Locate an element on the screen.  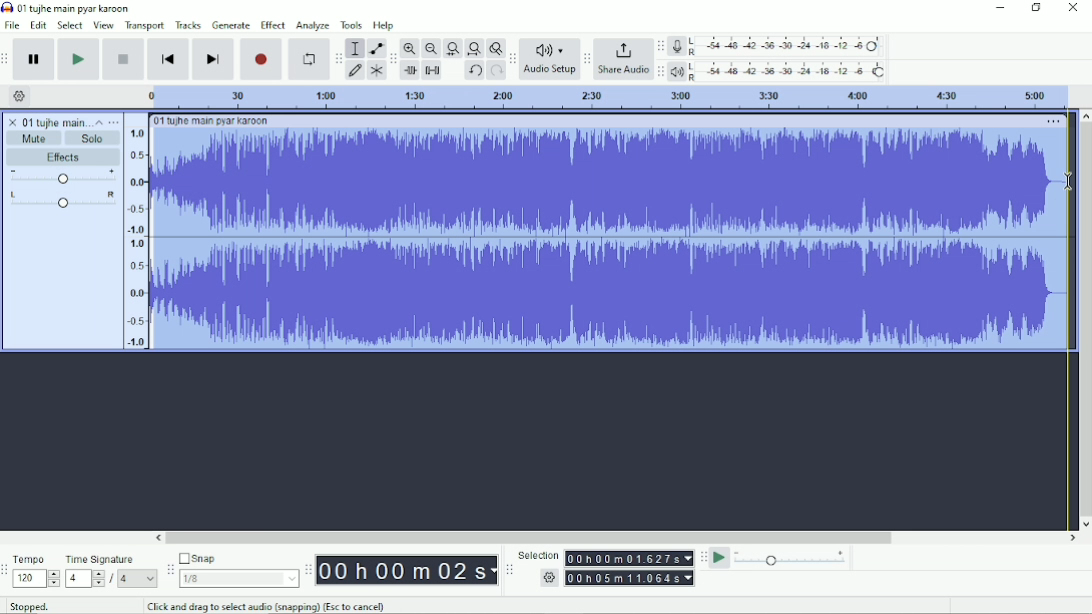
Undo is located at coordinates (474, 71).